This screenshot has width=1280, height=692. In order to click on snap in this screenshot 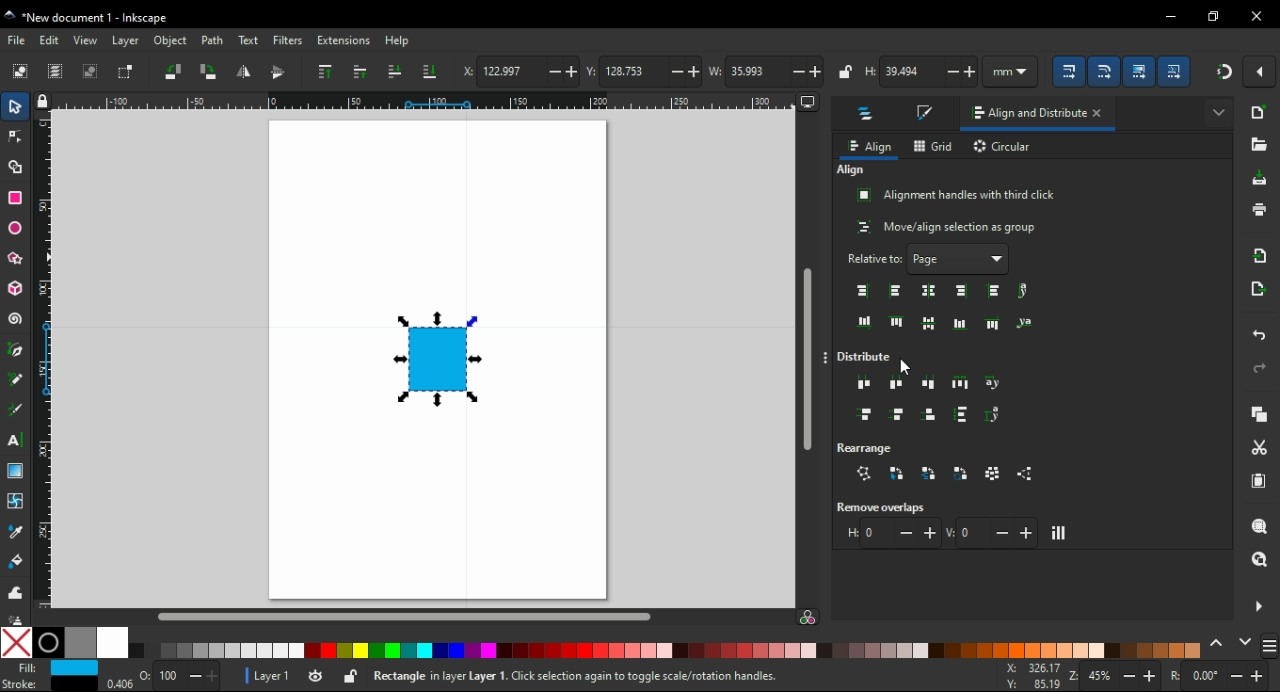, I will do `click(1223, 72)`.